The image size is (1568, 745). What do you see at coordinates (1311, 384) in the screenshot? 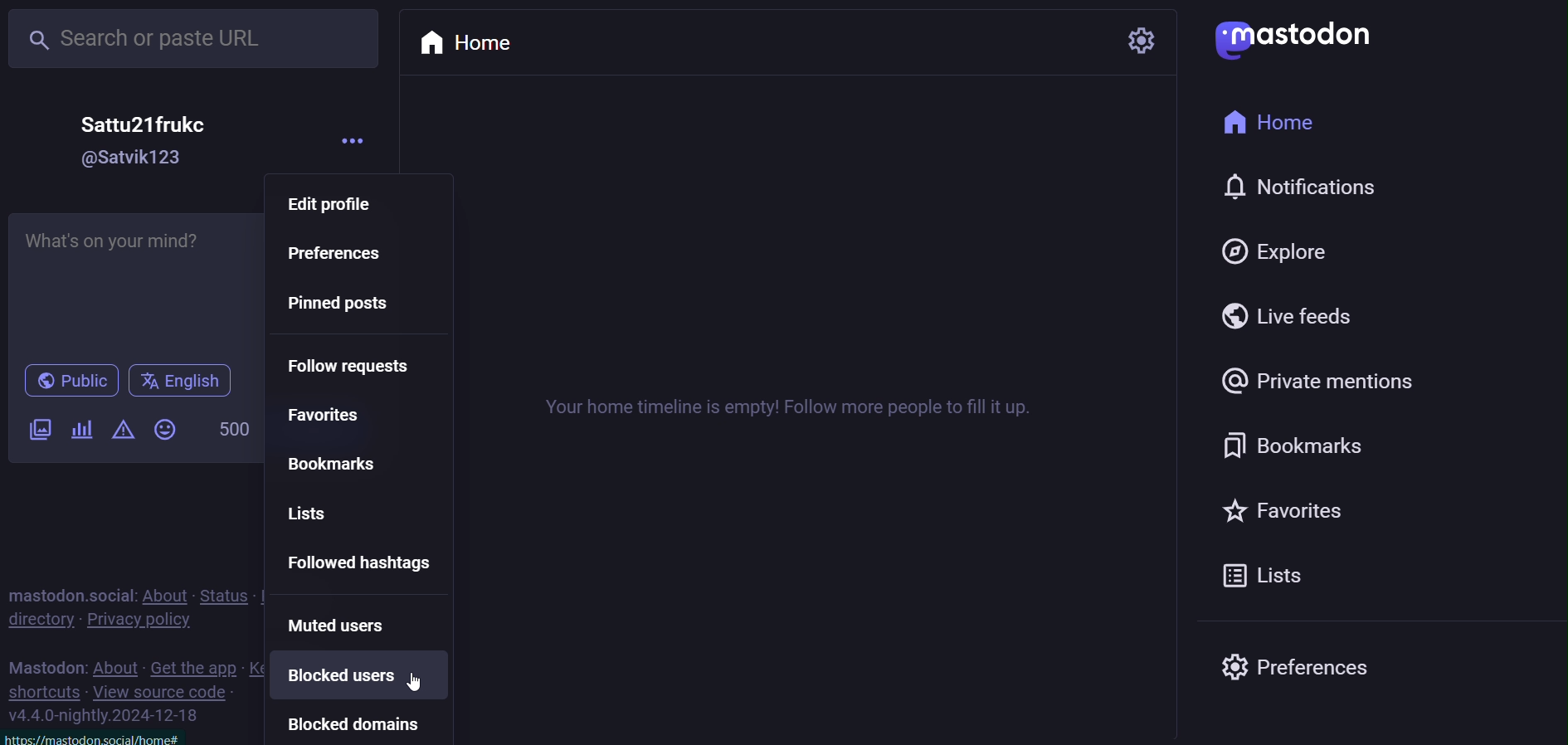
I see `private mention` at bounding box center [1311, 384].